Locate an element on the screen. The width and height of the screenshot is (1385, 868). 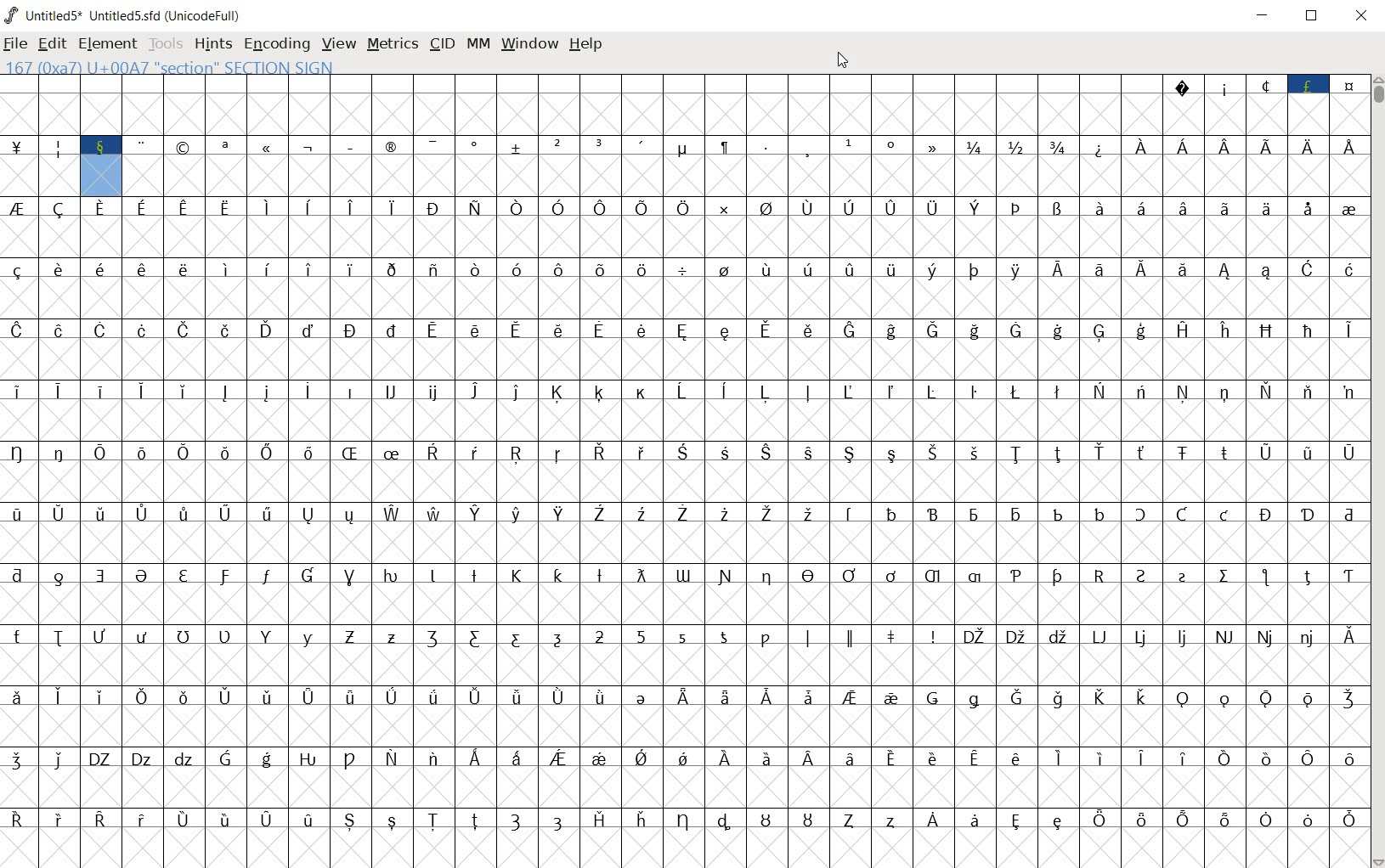
Latin extended characters is located at coordinates (188, 533).